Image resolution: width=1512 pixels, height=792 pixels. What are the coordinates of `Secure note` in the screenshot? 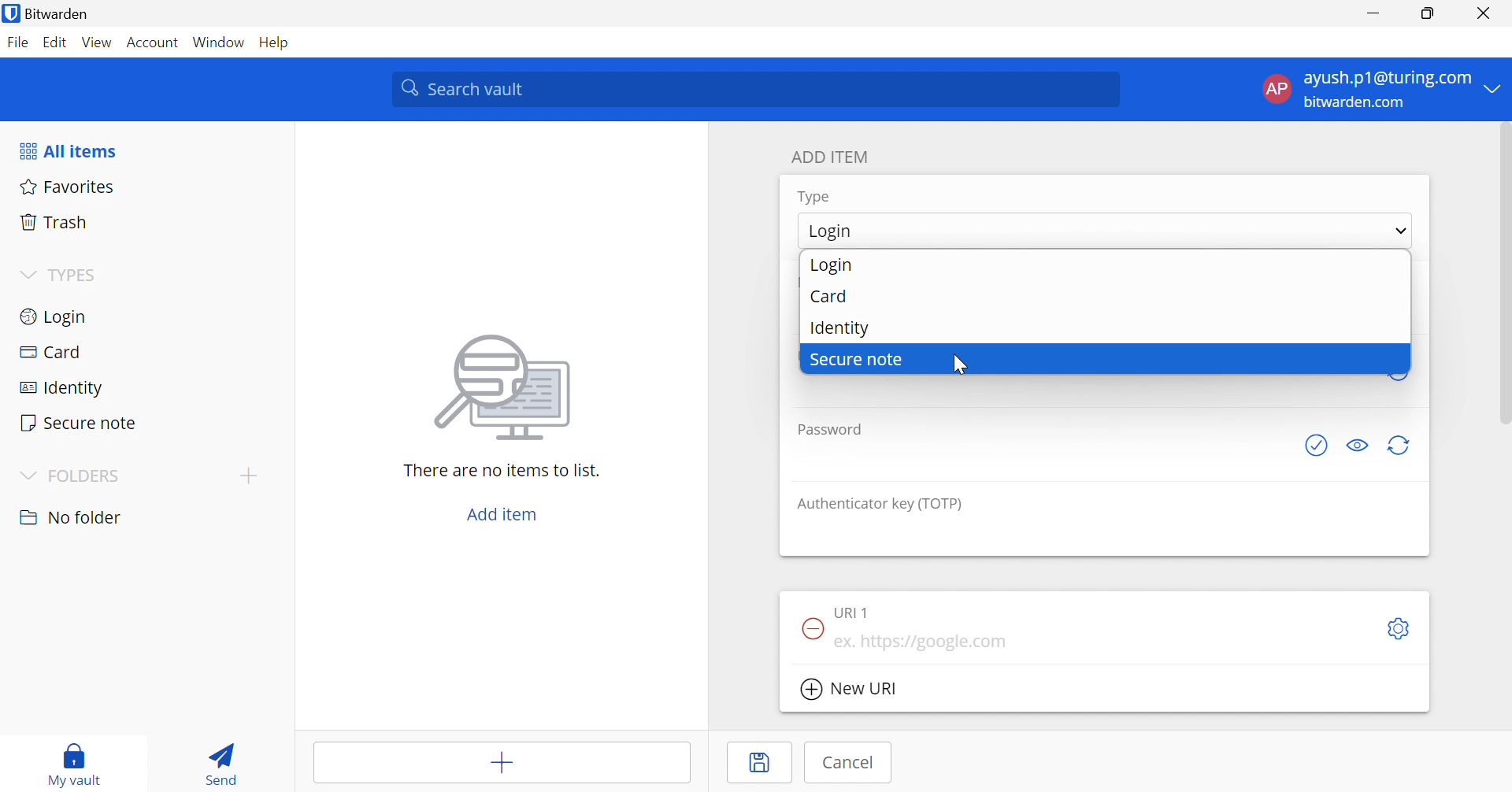 It's located at (1103, 359).